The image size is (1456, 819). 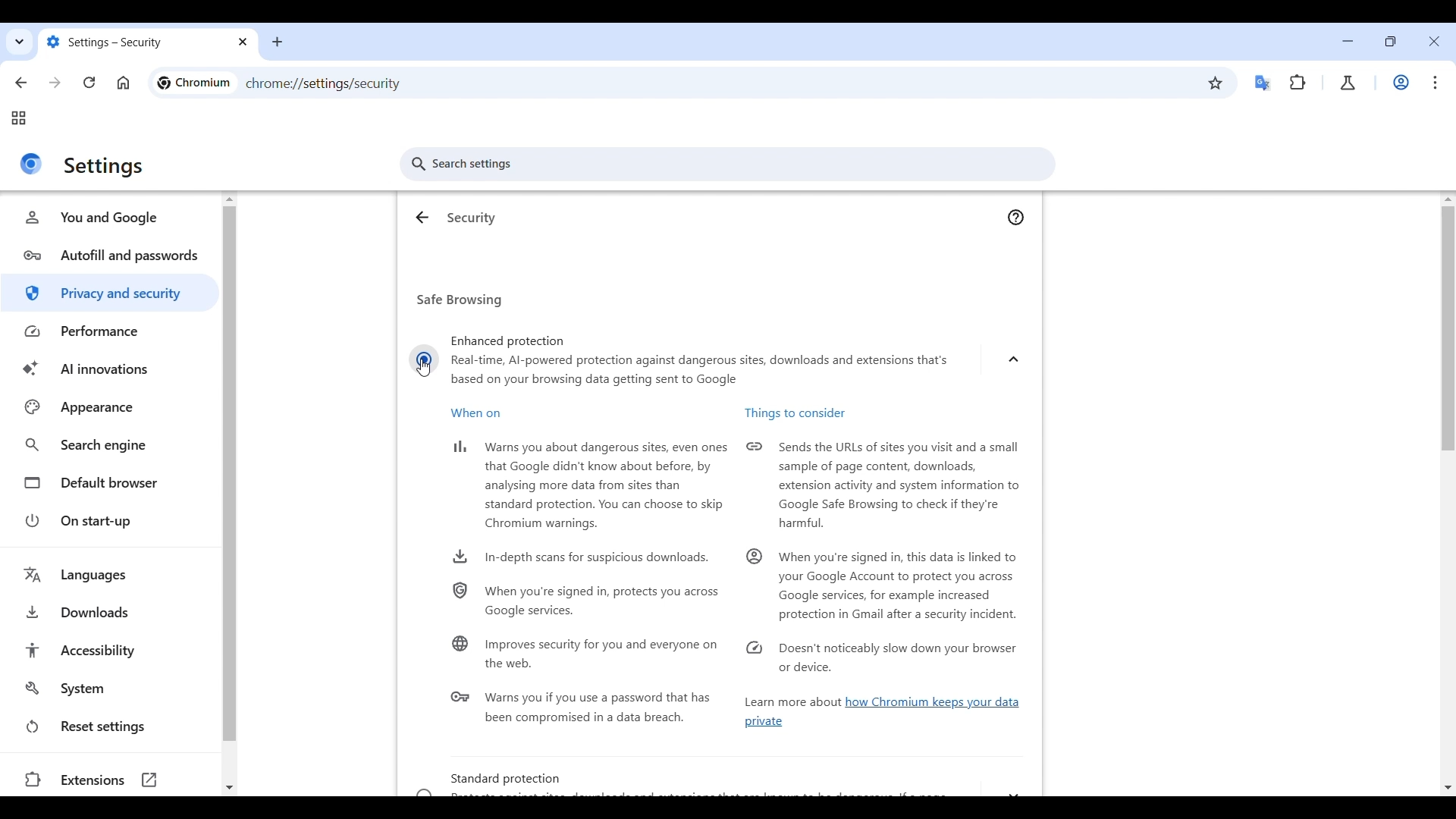 What do you see at coordinates (274, 42) in the screenshot?
I see `Add new tab` at bounding box center [274, 42].